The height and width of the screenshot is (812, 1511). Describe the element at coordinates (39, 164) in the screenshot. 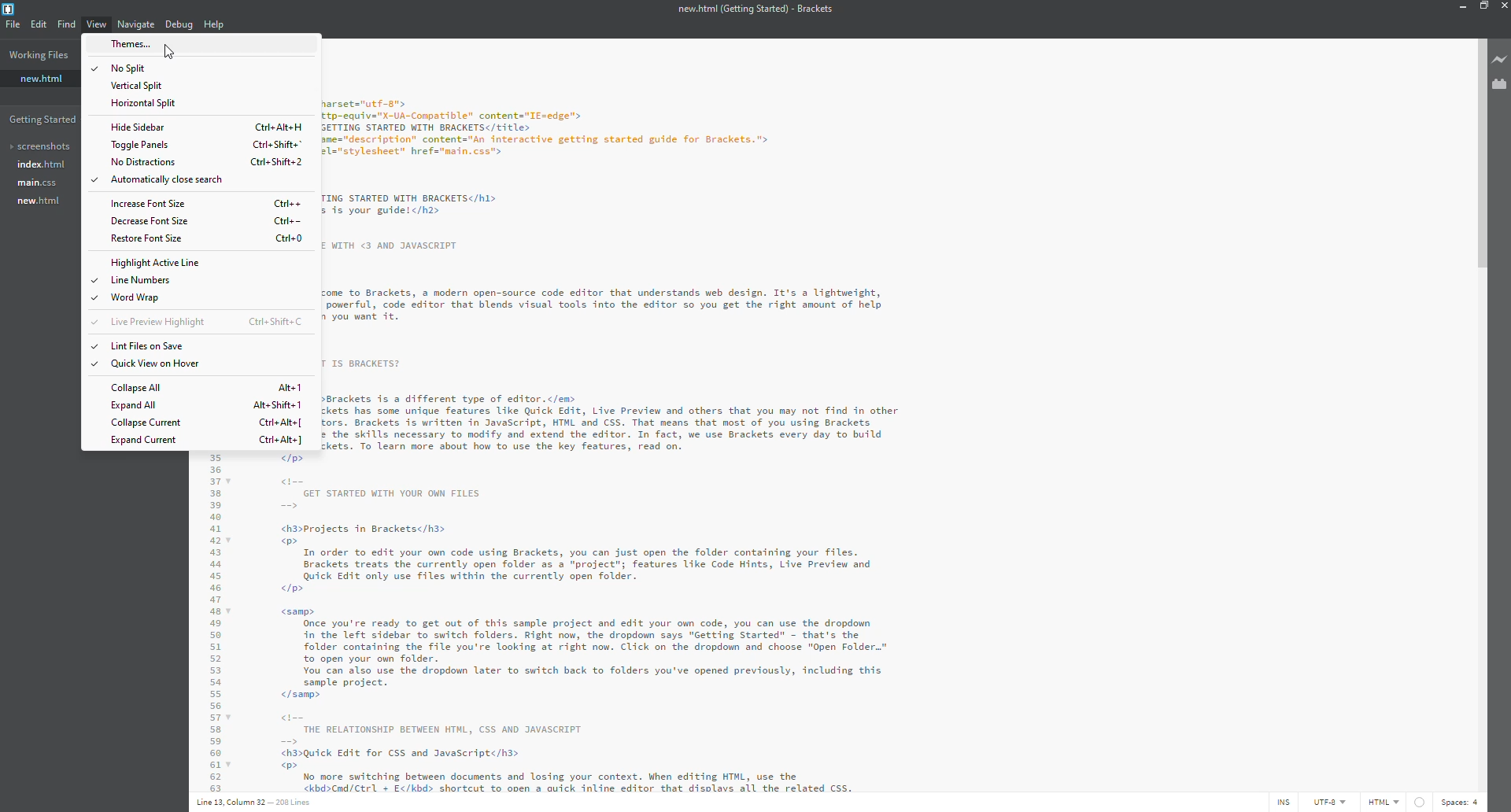

I see `index` at that location.